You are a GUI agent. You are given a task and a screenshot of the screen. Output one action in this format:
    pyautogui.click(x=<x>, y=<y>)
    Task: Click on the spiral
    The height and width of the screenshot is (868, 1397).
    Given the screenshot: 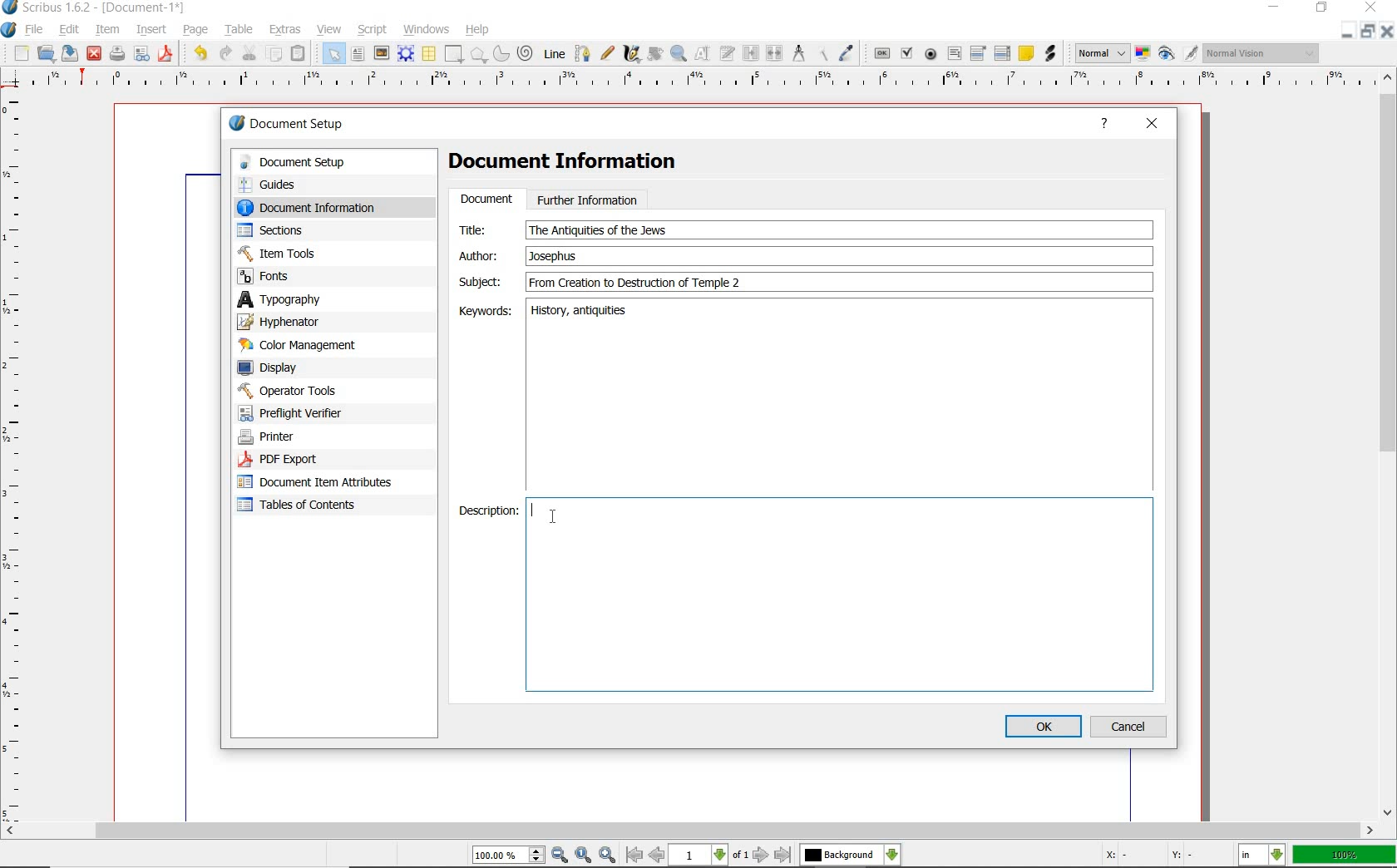 What is the action you would take?
    pyautogui.click(x=527, y=52)
    